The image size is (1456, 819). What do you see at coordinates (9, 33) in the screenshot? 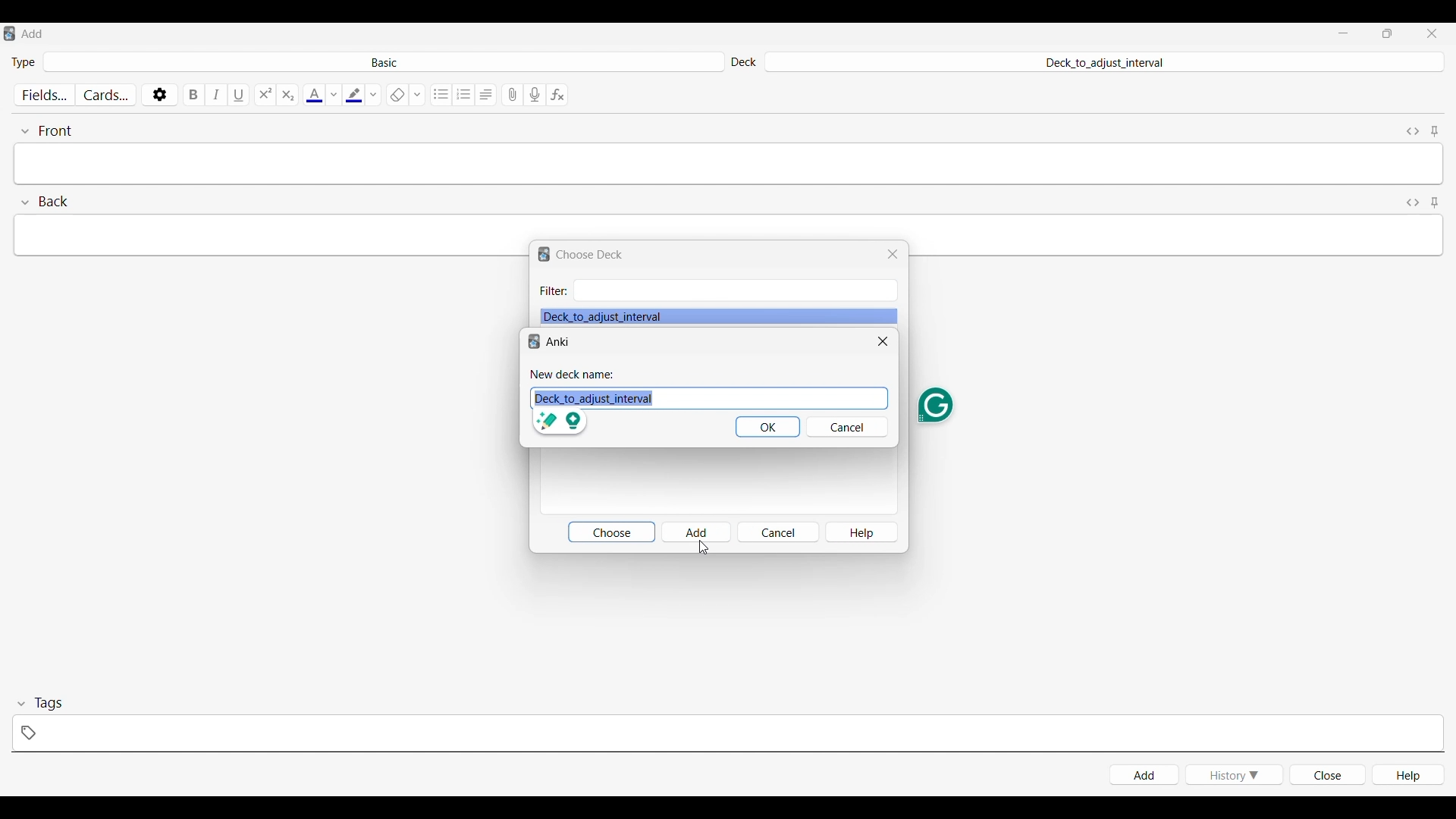
I see `Software logo` at bounding box center [9, 33].